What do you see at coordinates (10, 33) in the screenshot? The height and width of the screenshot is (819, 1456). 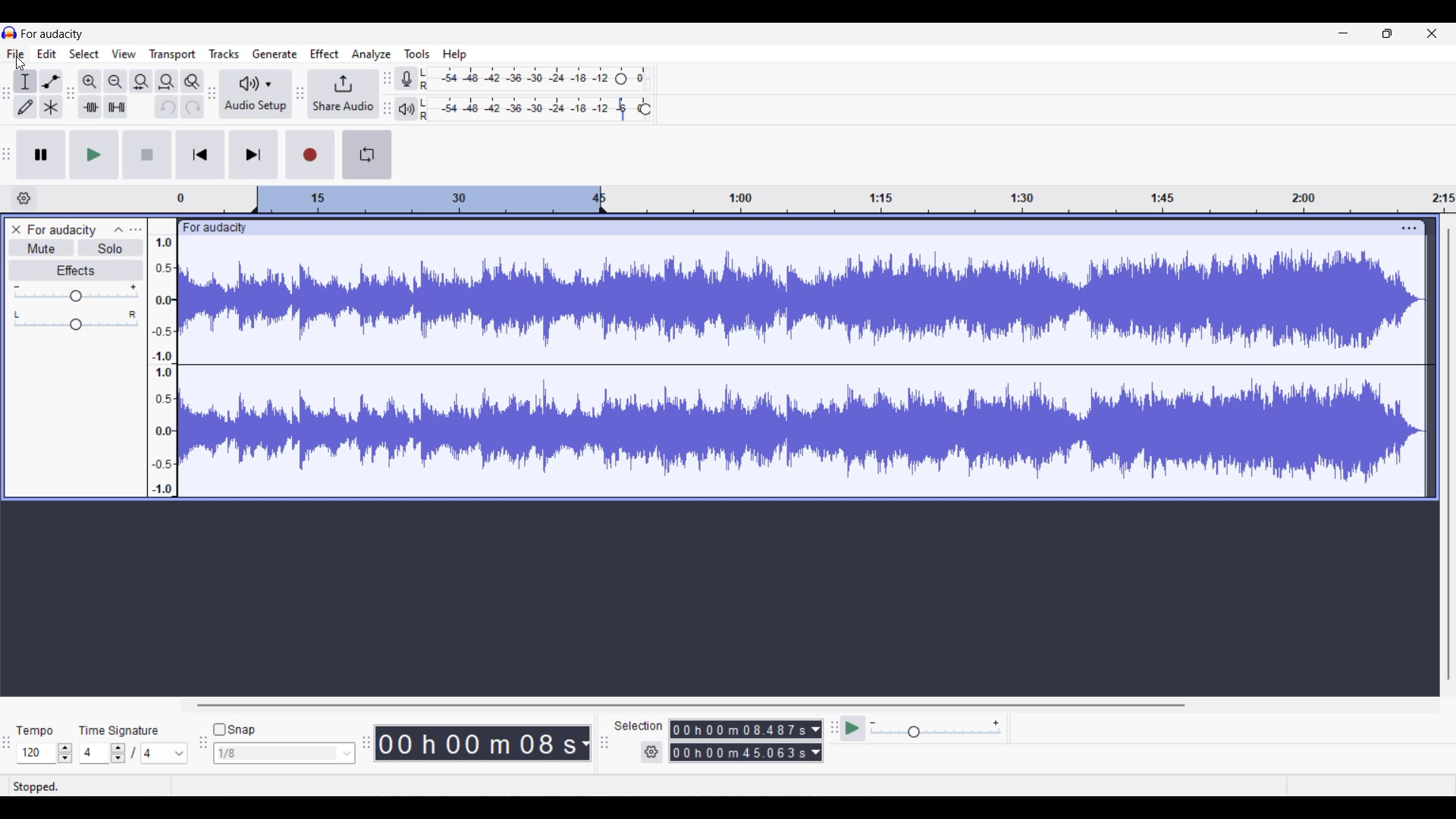 I see `Software logo` at bounding box center [10, 33].